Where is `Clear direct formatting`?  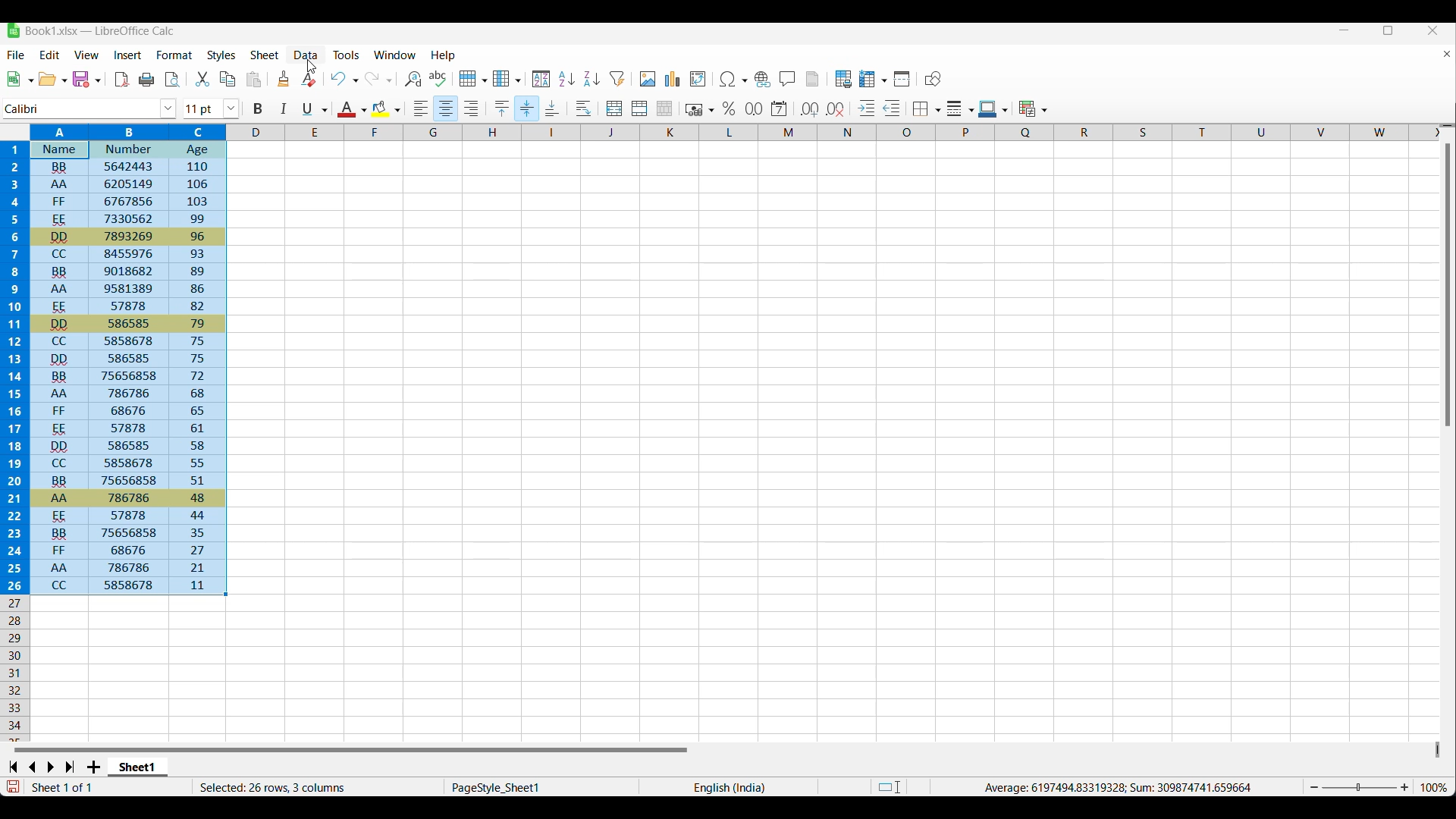 Clear direct formatting is located at coordinates (309, 79).